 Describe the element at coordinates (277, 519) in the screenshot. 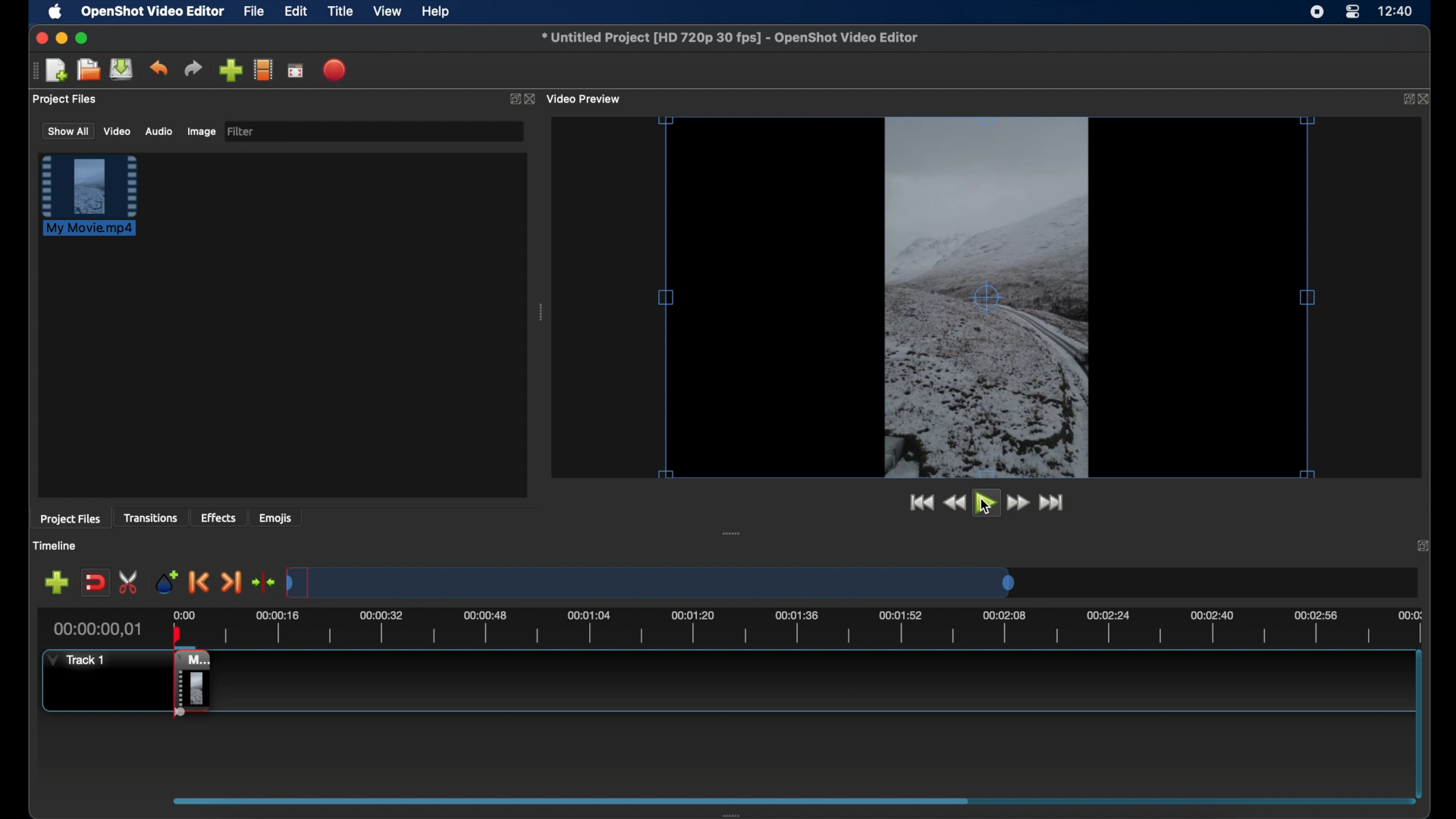

I see `emojis` at that location.